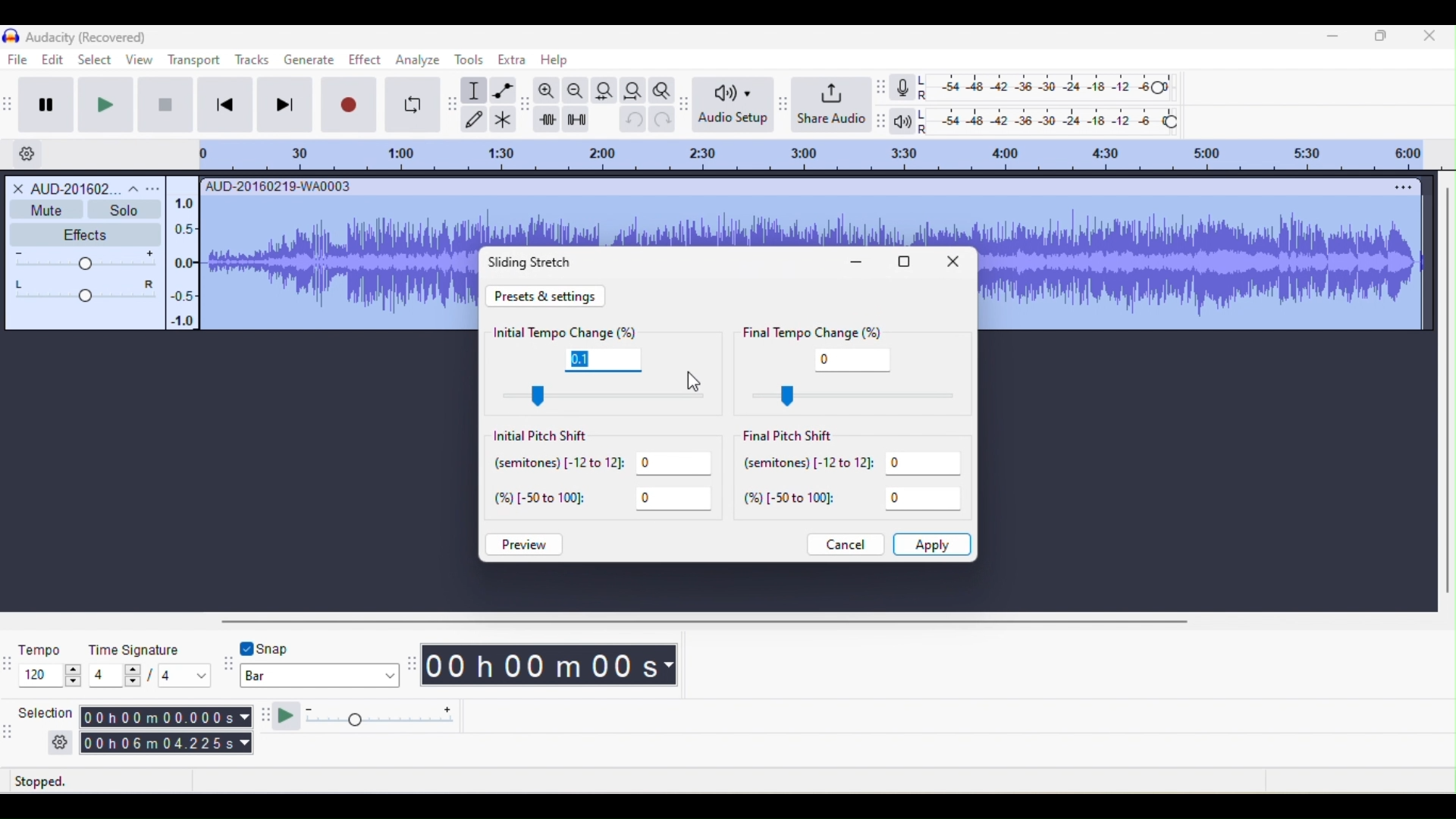 The width and height of the screenshot is (1456, 819). Describe the element at coordinates (858, 262) in the screenshot. I see `minimize` at that location.